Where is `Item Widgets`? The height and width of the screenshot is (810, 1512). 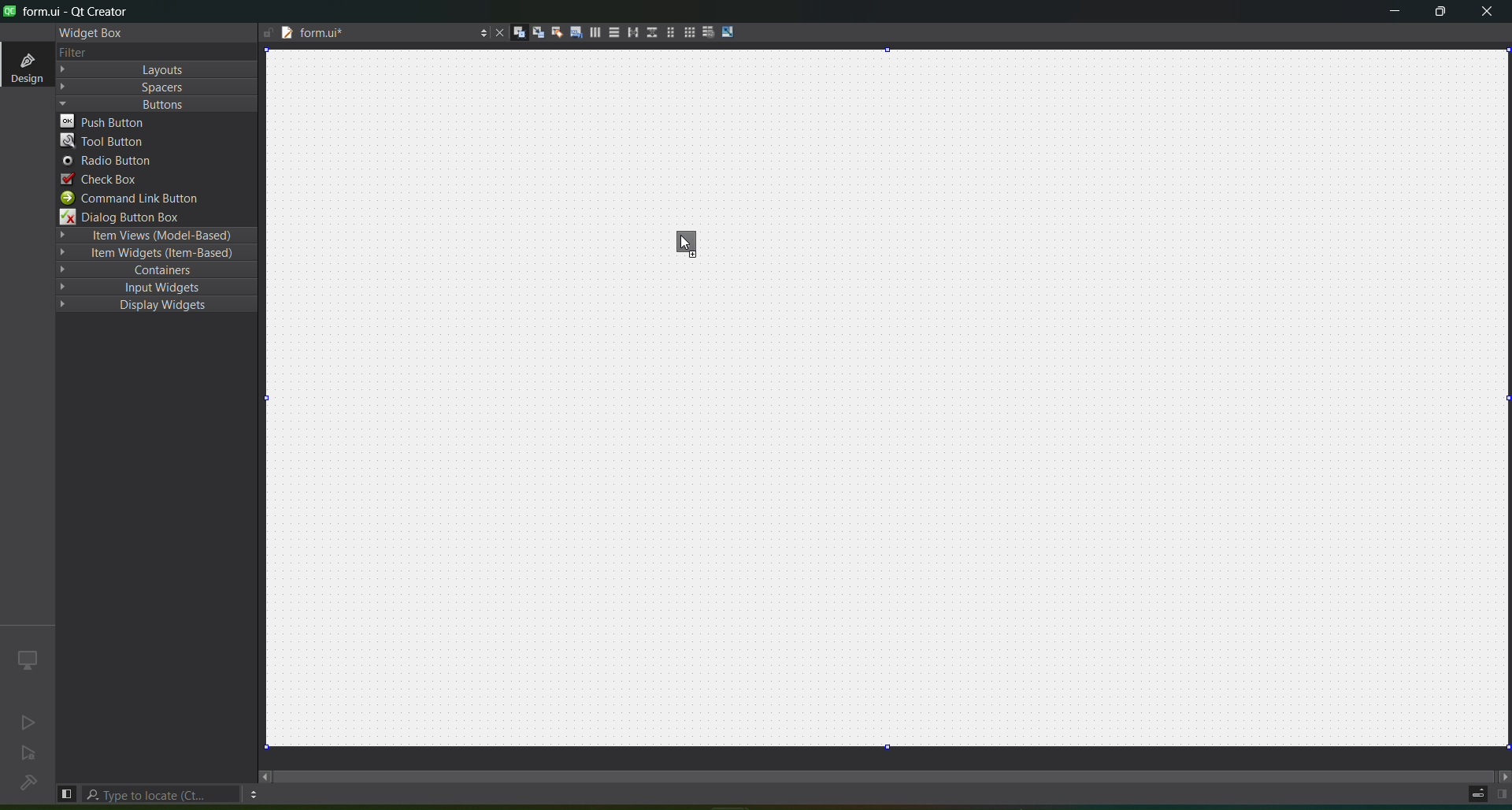
Item Widgets is located at coordinates (159, 252).